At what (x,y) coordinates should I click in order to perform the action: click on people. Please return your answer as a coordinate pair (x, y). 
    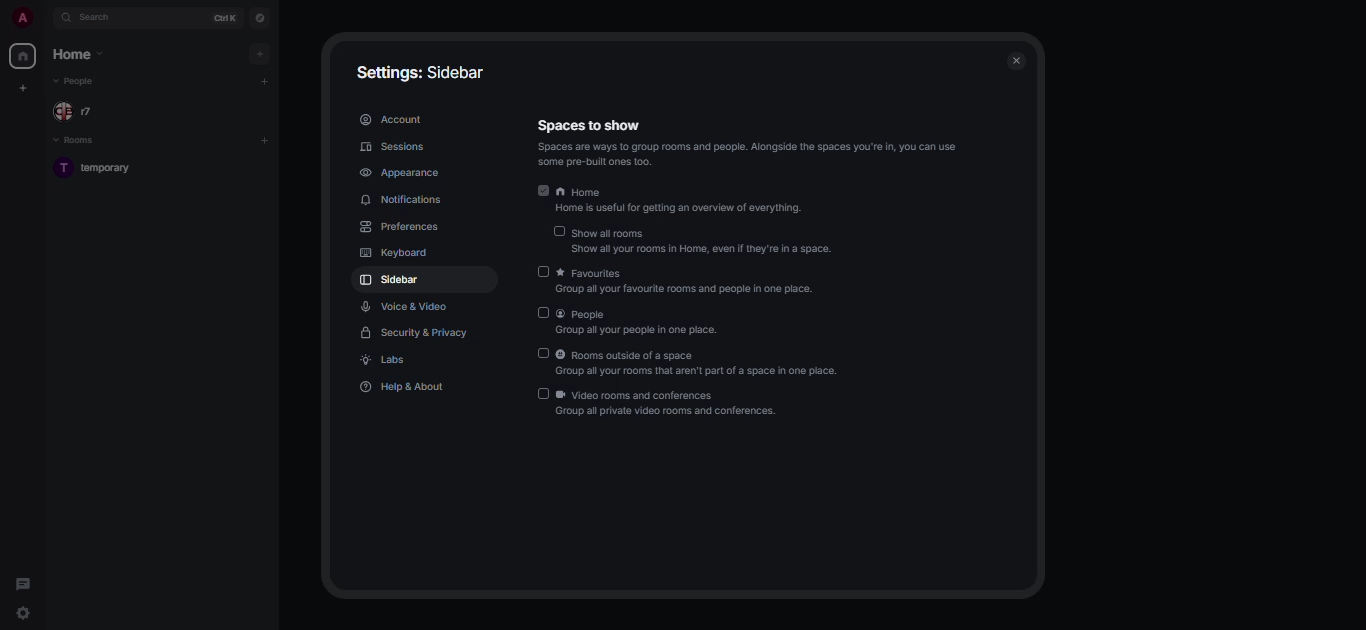
    Looking at the image, I should click on (642, 324).